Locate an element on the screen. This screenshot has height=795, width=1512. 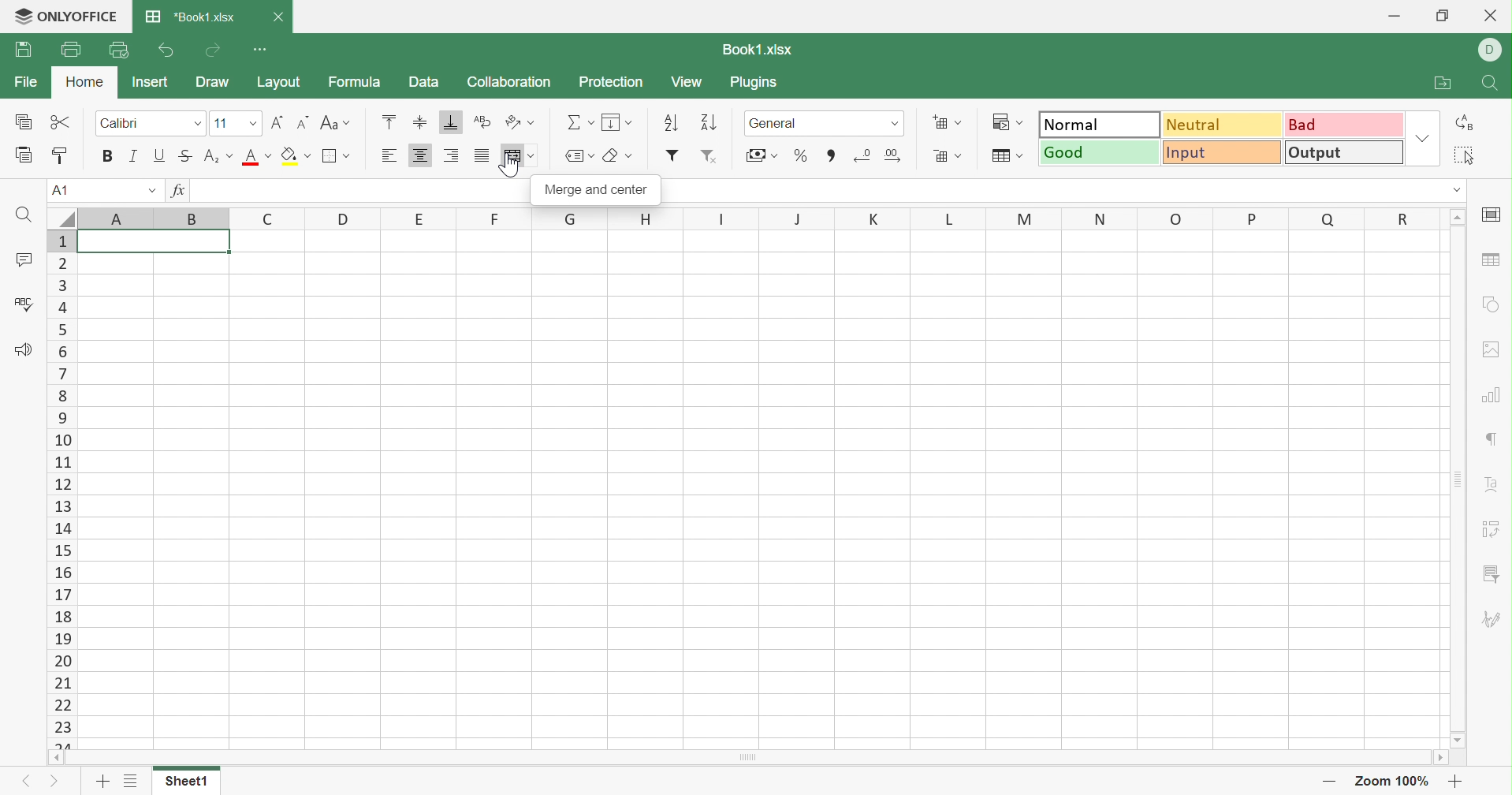
Comma style is located at coordinates (831, 158).